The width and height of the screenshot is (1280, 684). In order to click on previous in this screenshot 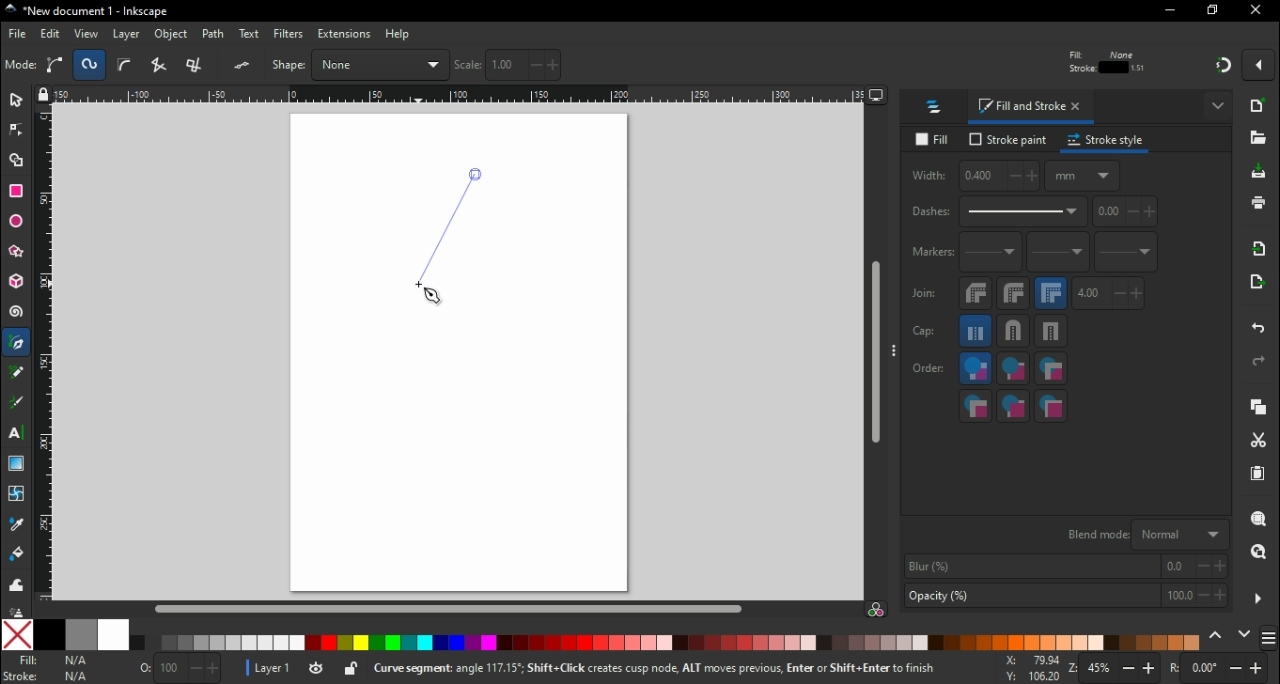, I will do `click(1217, 635)`.